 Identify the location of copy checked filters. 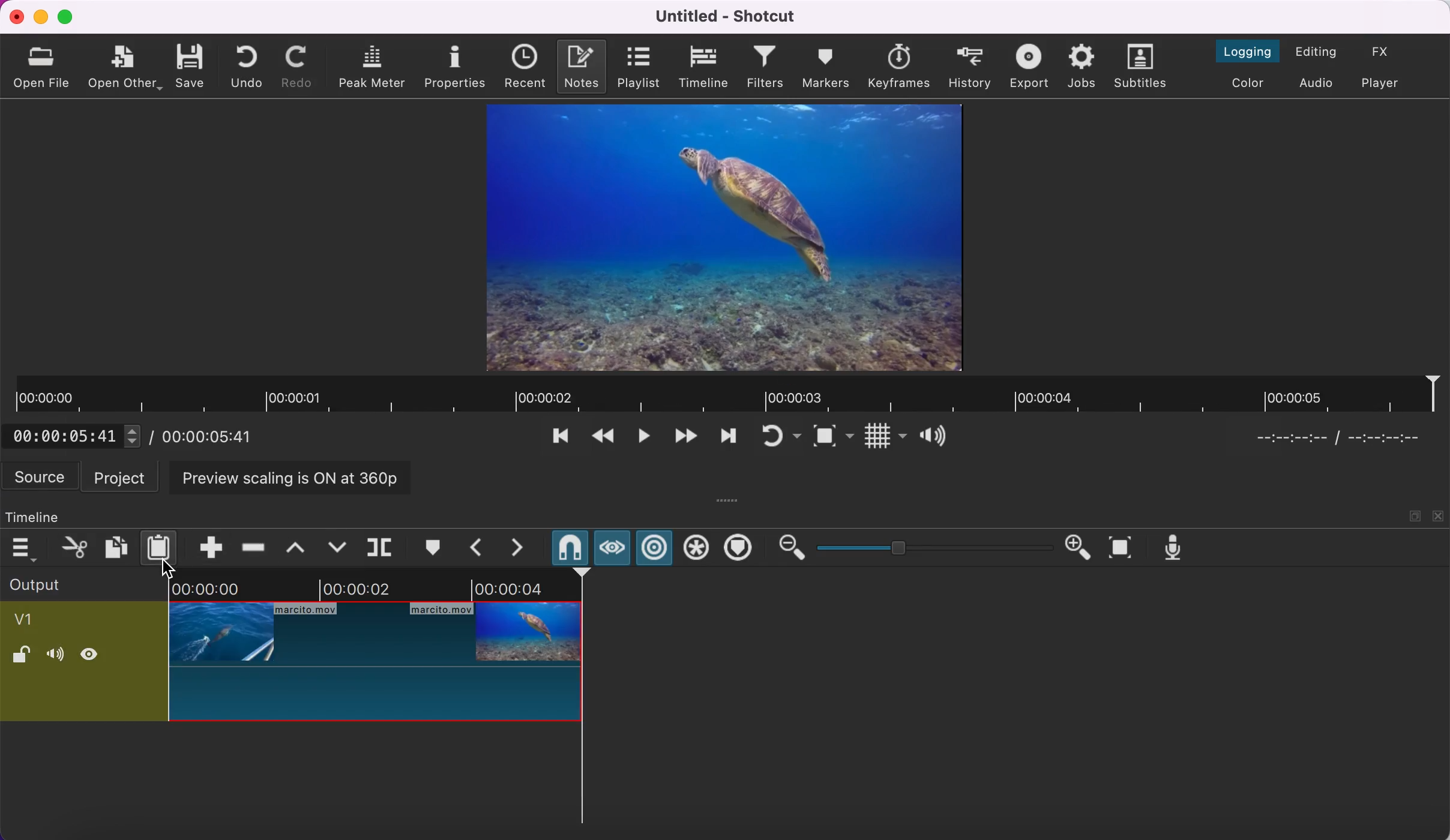
(115, 547).